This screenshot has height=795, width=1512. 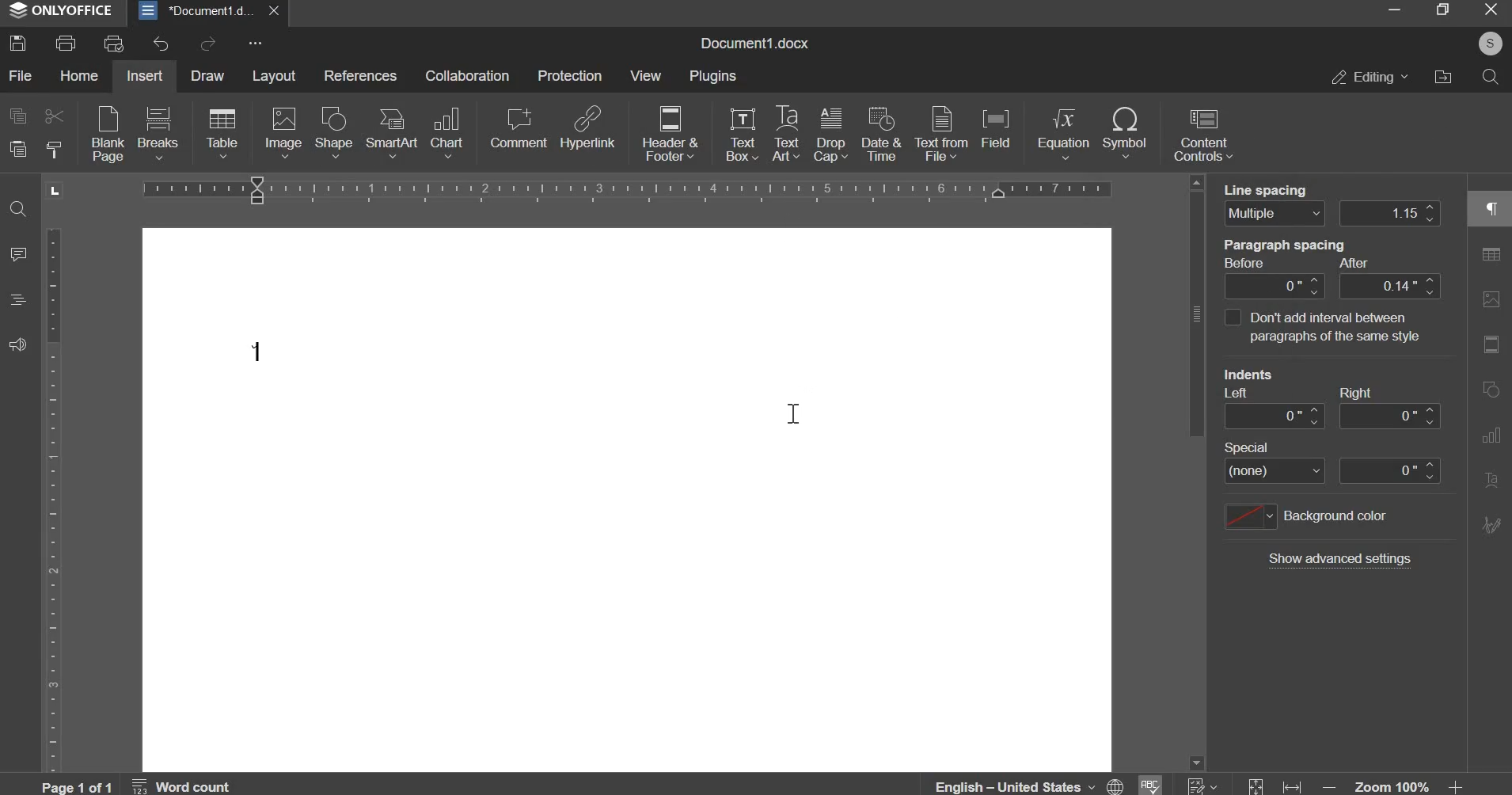 I want to click on references, so click(x=361, y=75).